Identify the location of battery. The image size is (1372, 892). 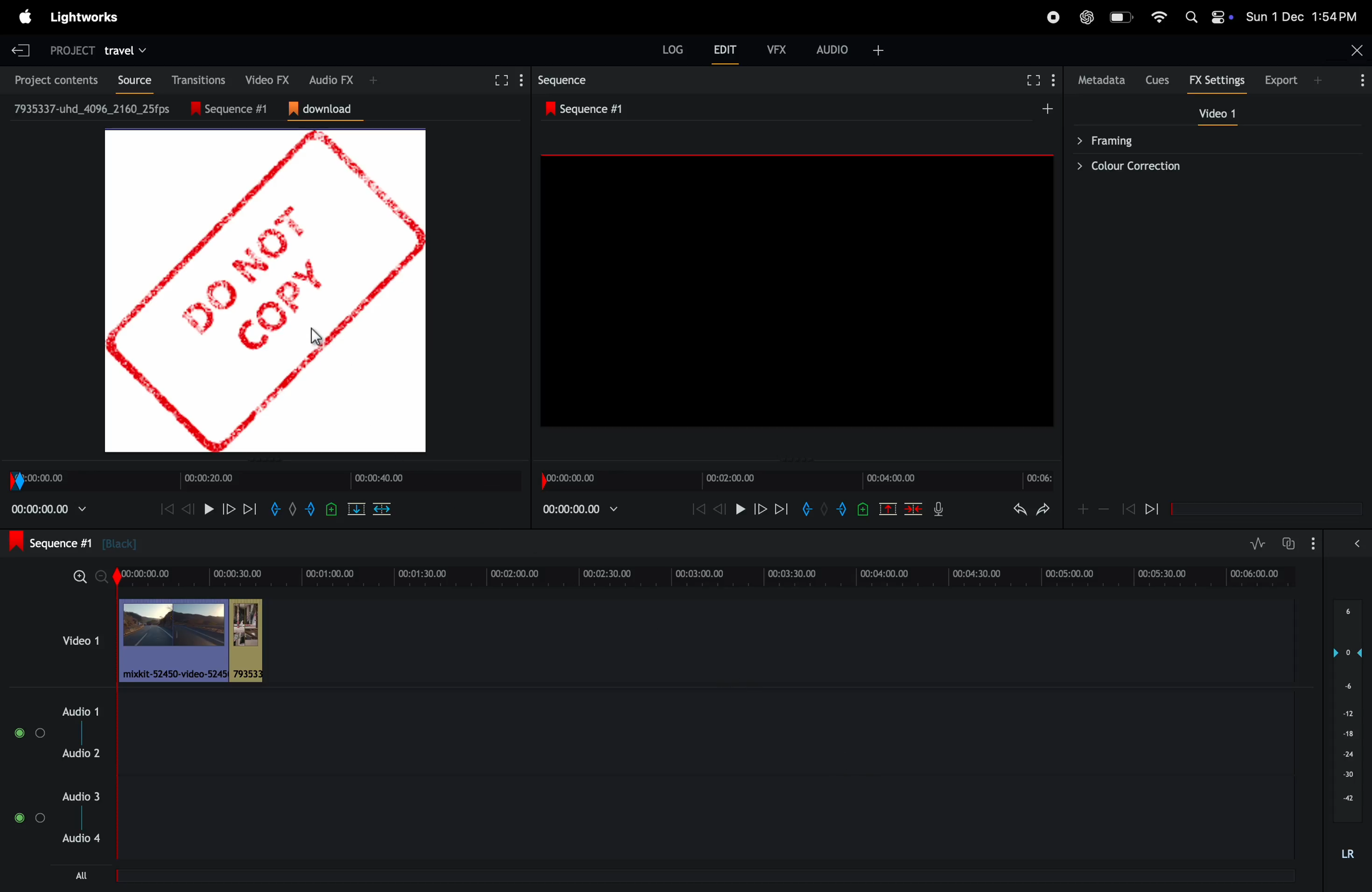
(1123, 17).